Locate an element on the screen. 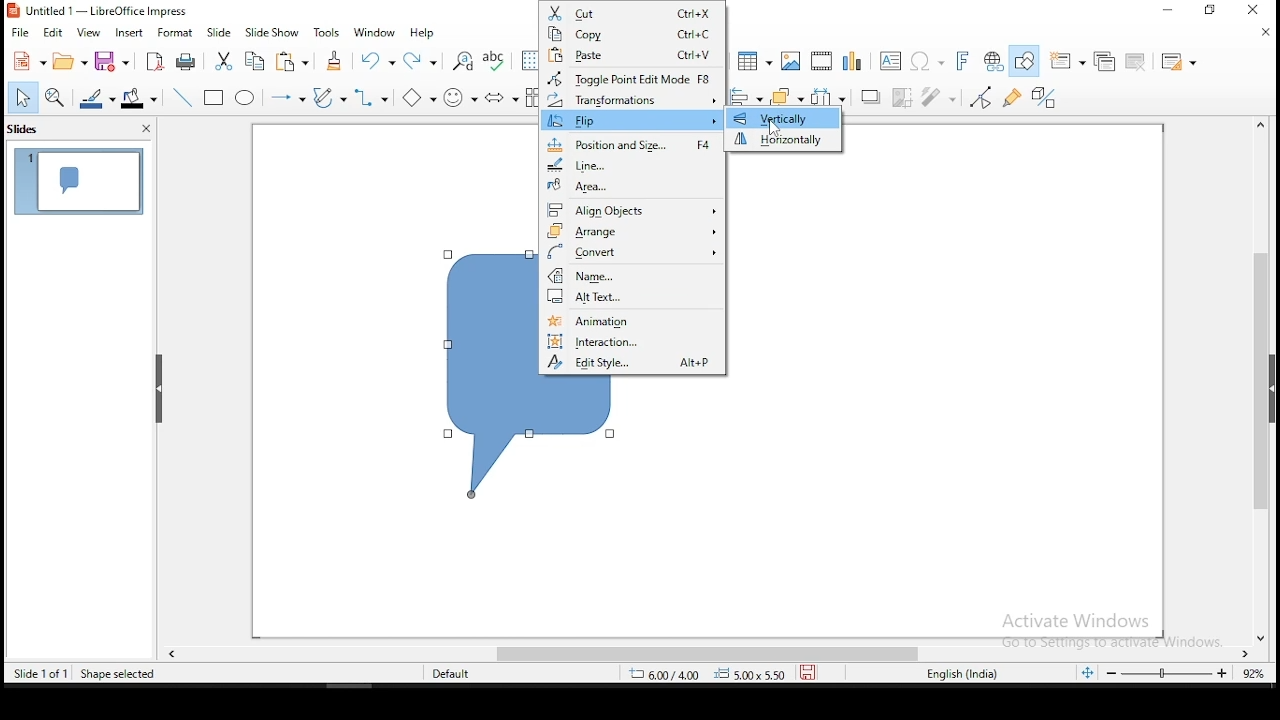  curves and polygons is located at coordinates (329, 98).